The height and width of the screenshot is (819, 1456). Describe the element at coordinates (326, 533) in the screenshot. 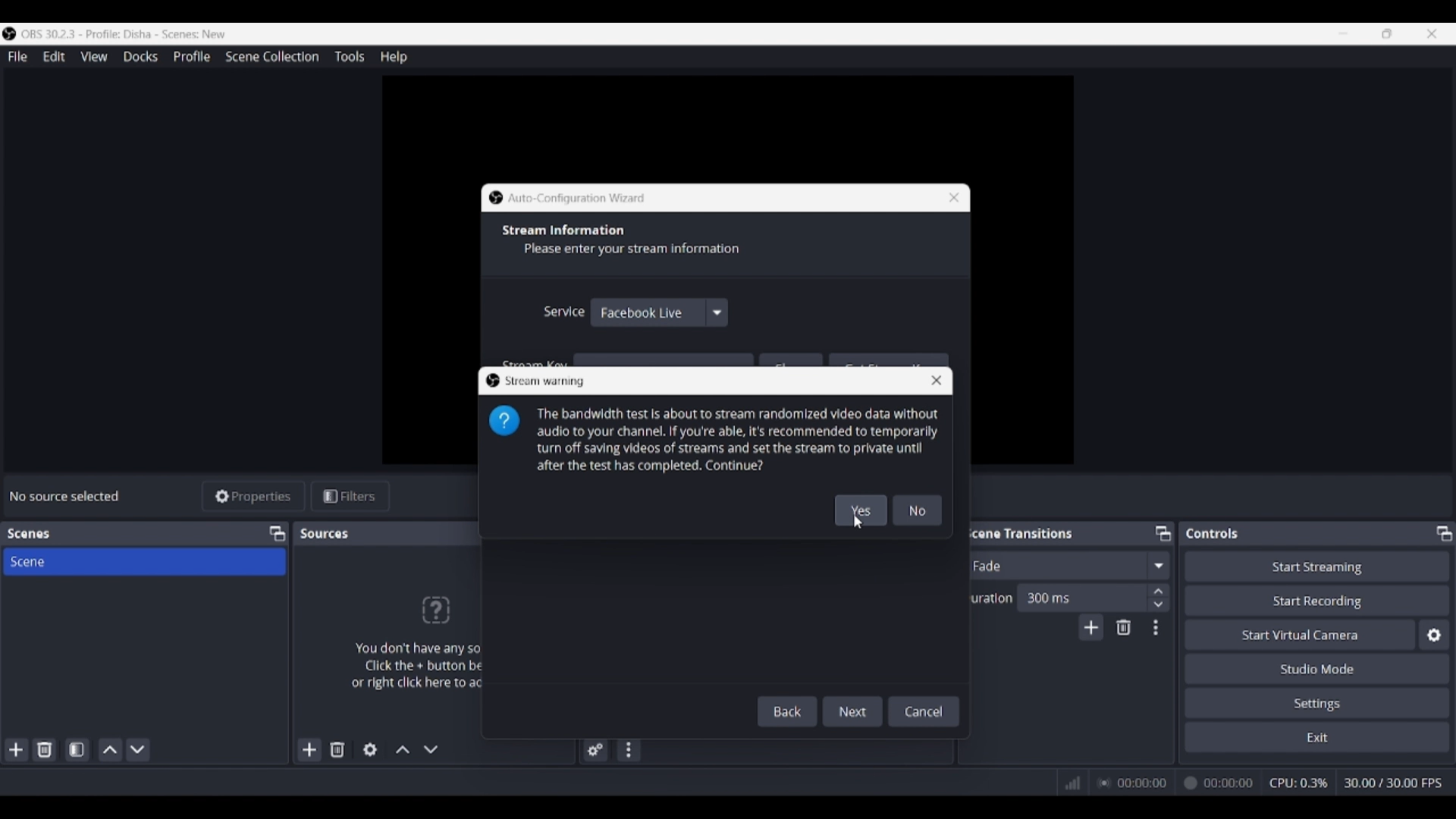

I see `Panel title` at that location.